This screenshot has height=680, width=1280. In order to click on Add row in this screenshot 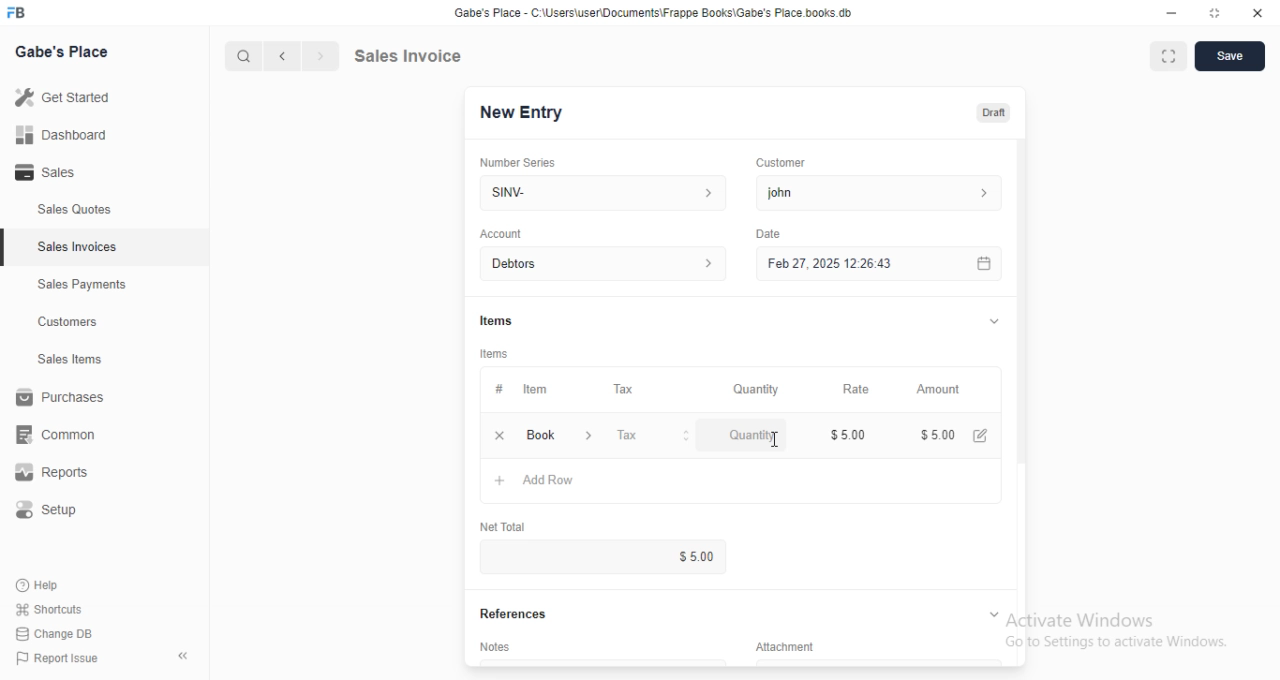, I will do `click(533, 480)`.